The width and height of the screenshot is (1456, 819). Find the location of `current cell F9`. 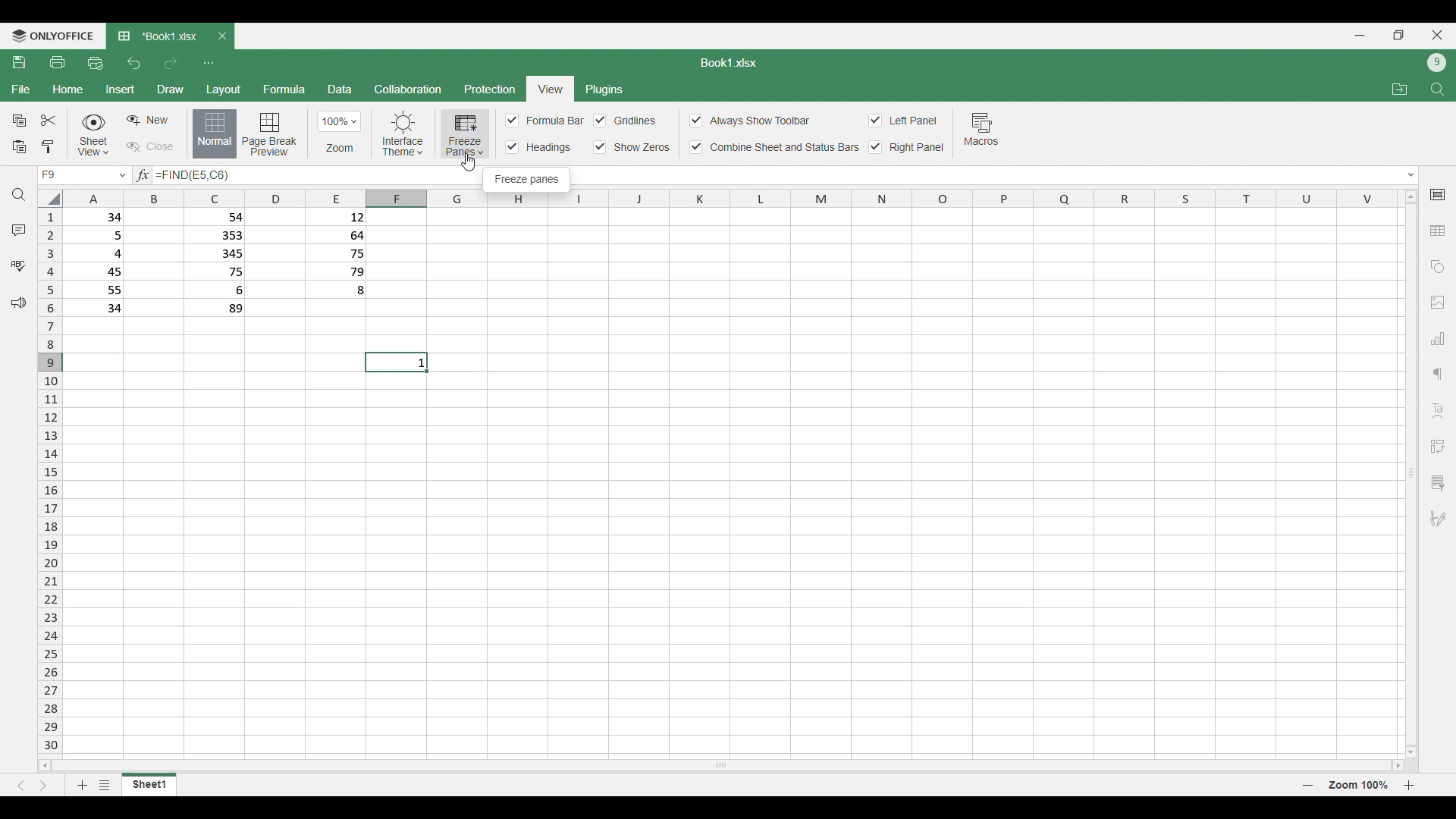

current cell F9 is located at coordinates (86, 175).